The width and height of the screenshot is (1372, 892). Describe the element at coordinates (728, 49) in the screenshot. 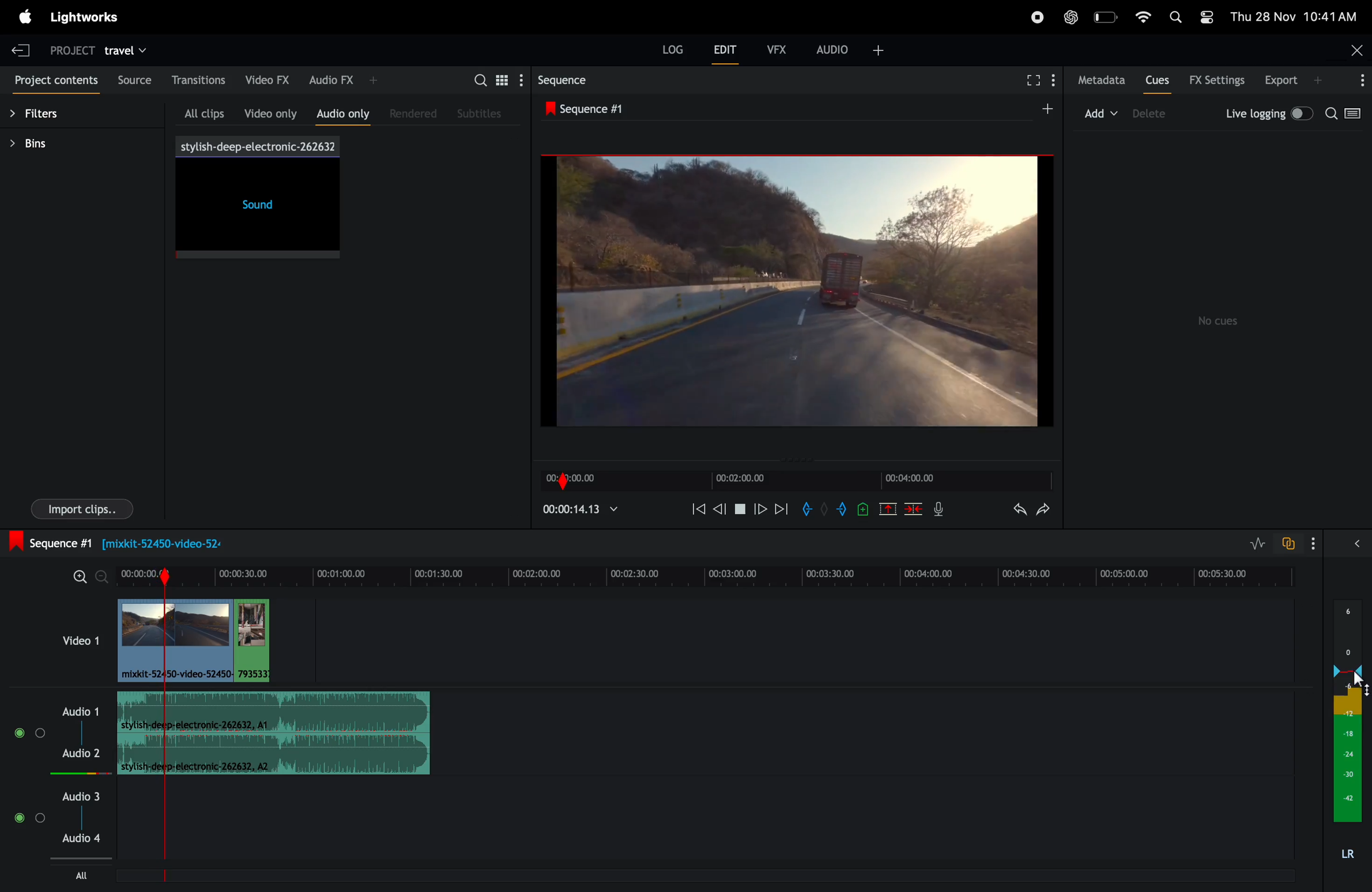

I see `edit` at that location.